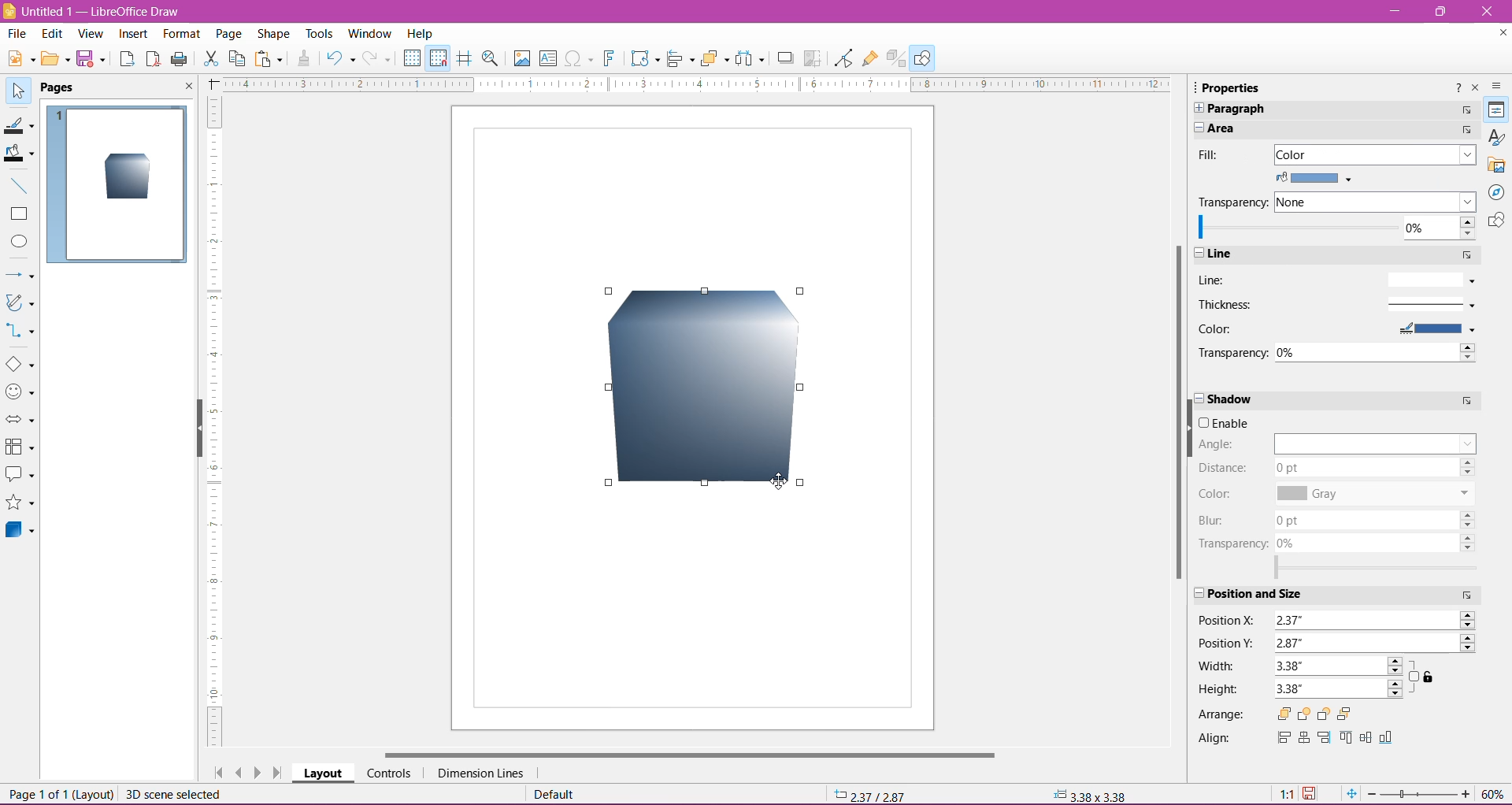 The image size is (1512, 805). Describe the element at coordinates (379, 58) in the screenshot. I see `` at that location.